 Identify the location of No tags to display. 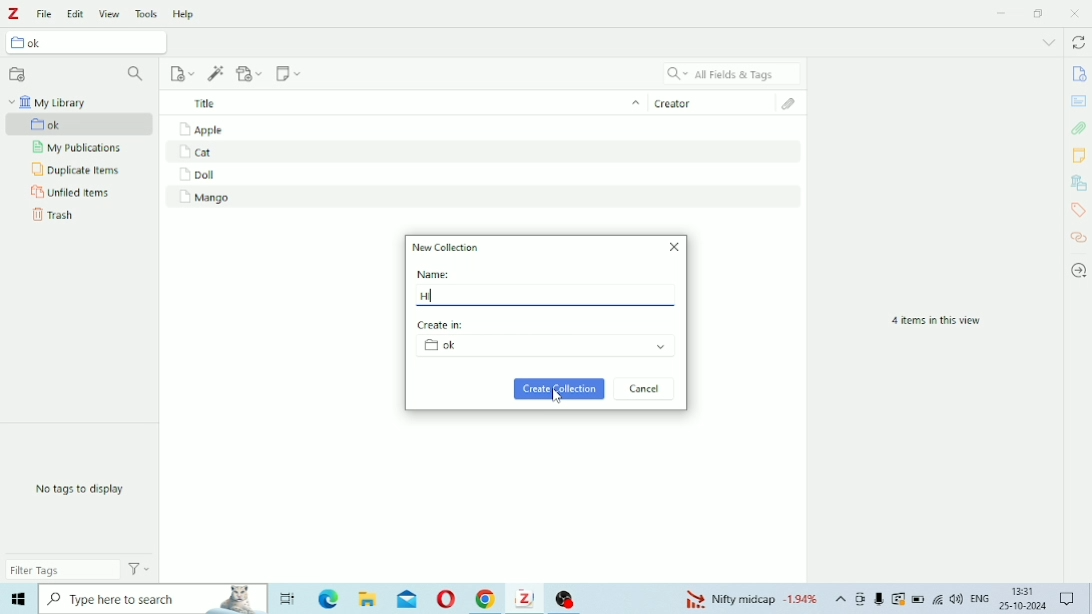
(83, 489).